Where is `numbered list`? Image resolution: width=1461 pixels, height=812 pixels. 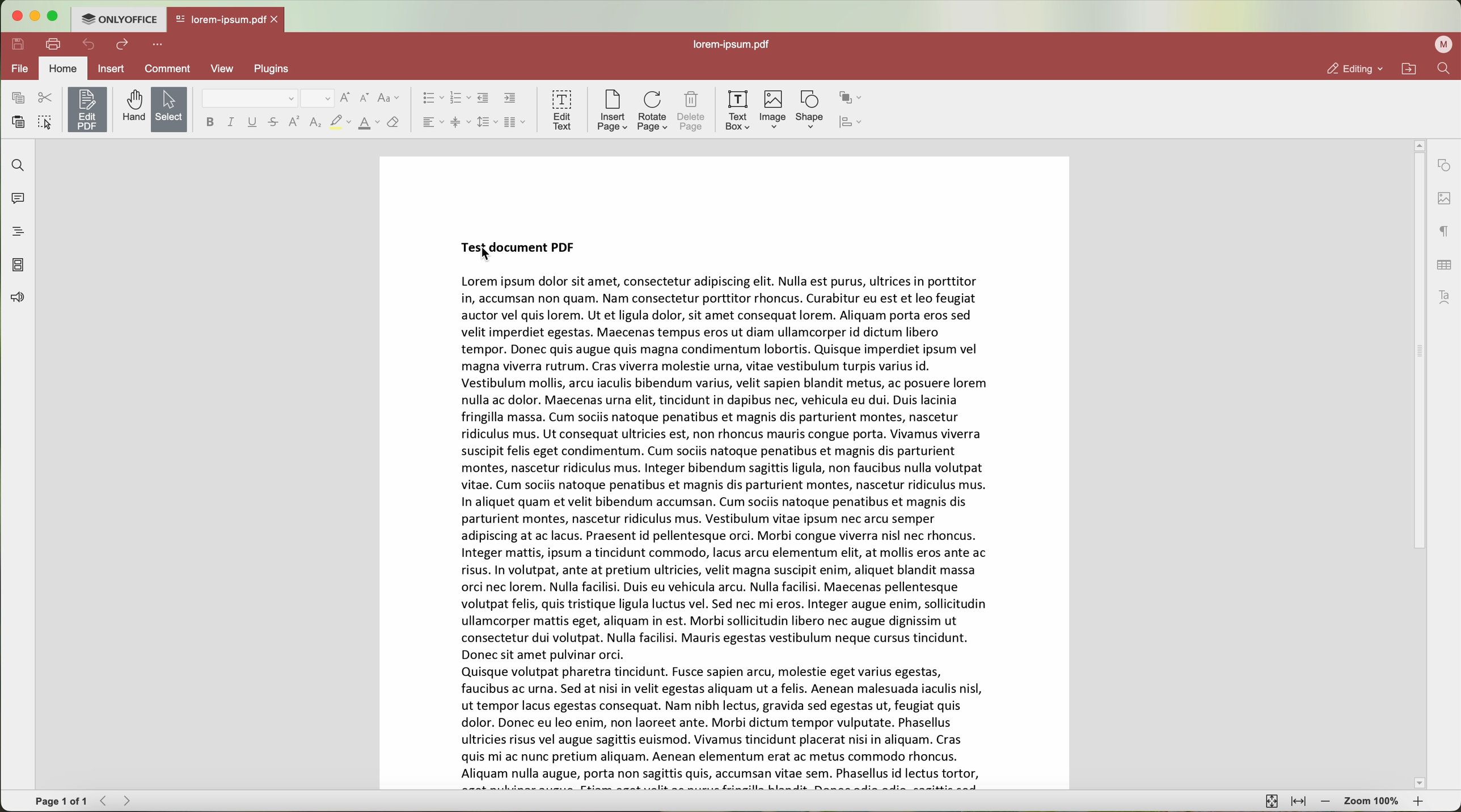
numbered list is located at coordinates (460, 100).